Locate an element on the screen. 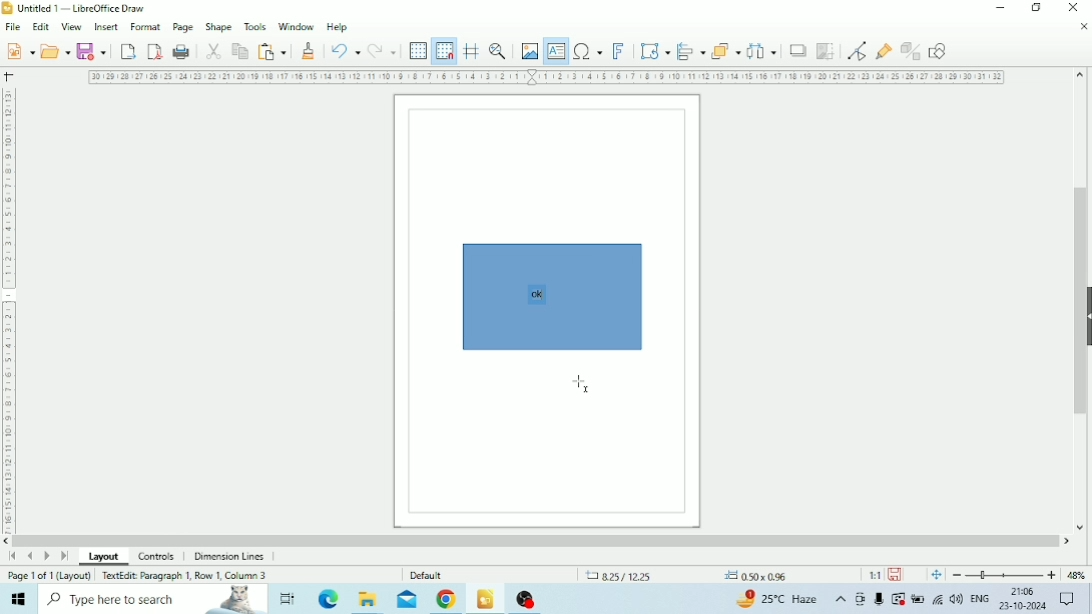 The height and width of the screenshot is (614, 1092). File is located at coordinates (12, 27).